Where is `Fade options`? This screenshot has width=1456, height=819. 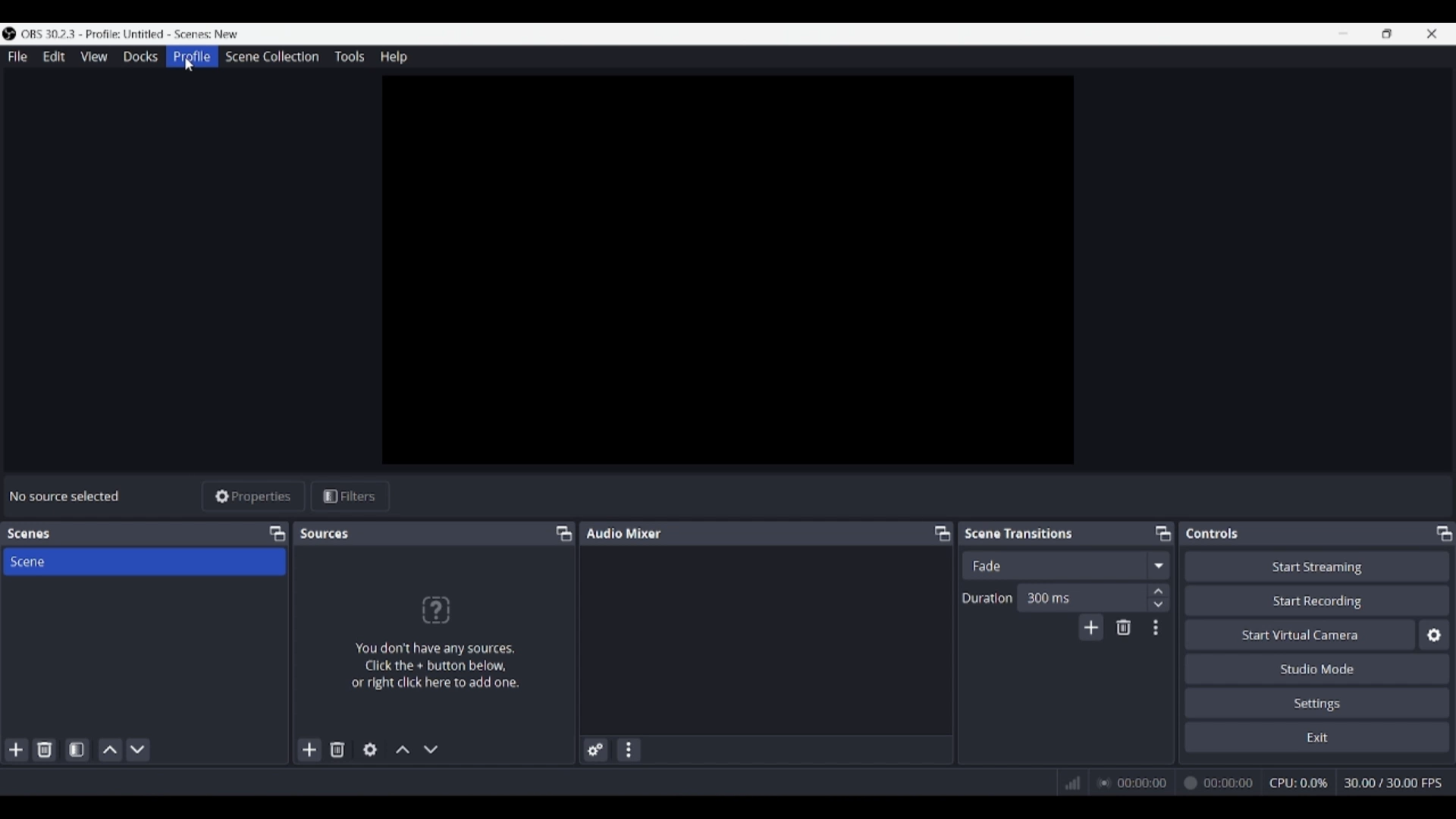 Fade options is located at coordinates (1158, 565).